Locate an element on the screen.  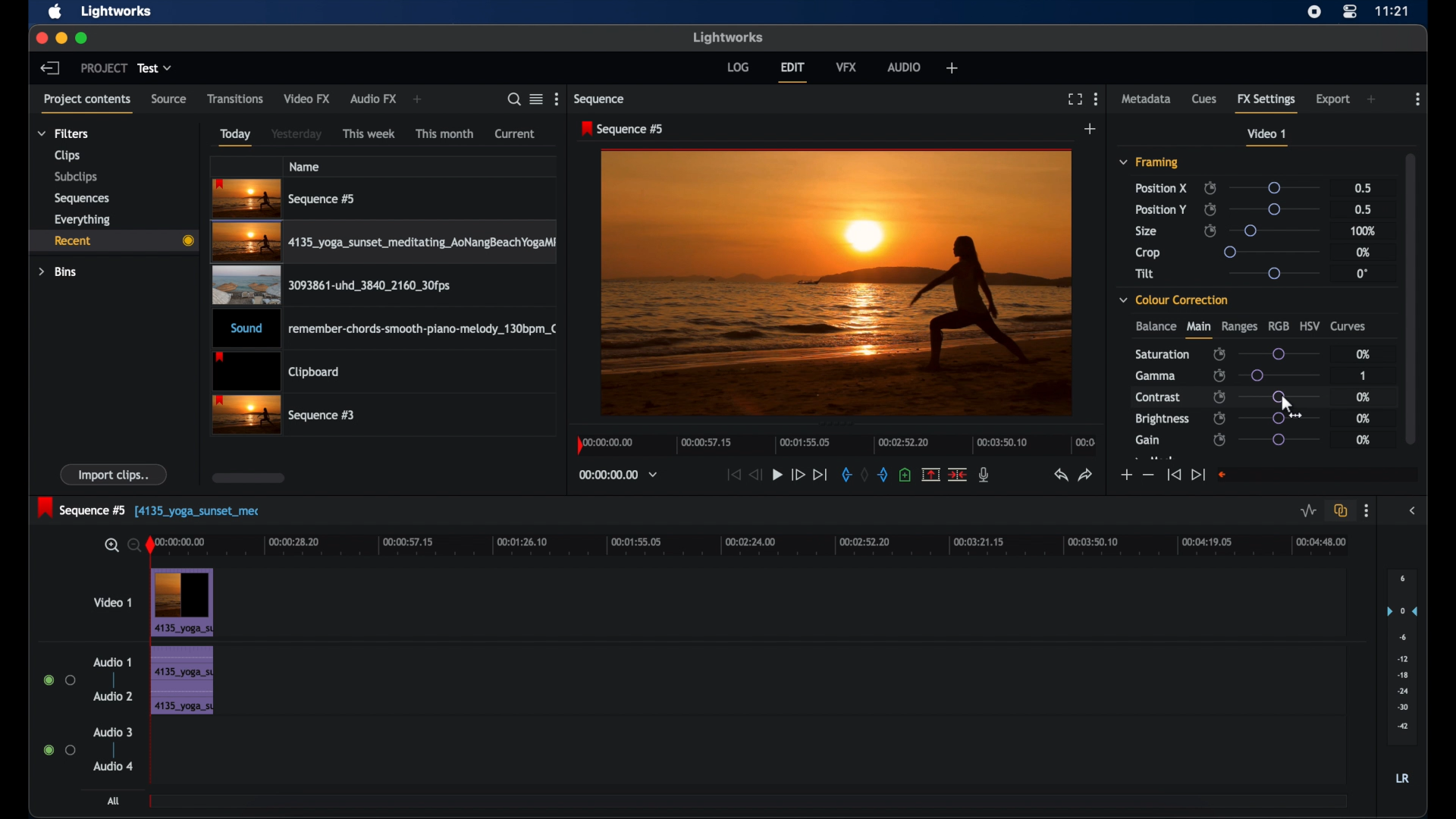
audio 2 is located at coordinates (114, 695).